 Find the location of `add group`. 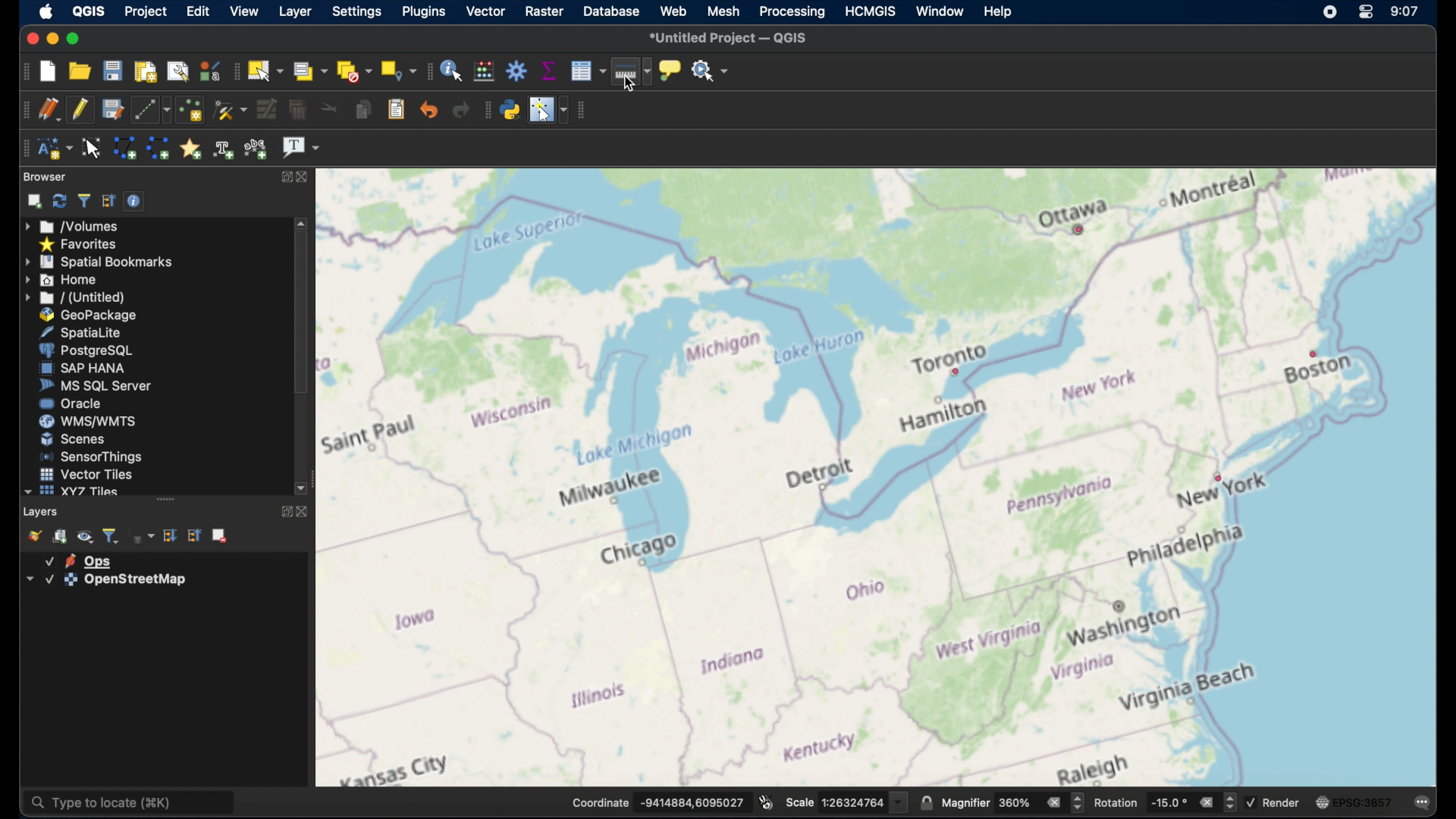

add group is located at coordinates (61, 536).